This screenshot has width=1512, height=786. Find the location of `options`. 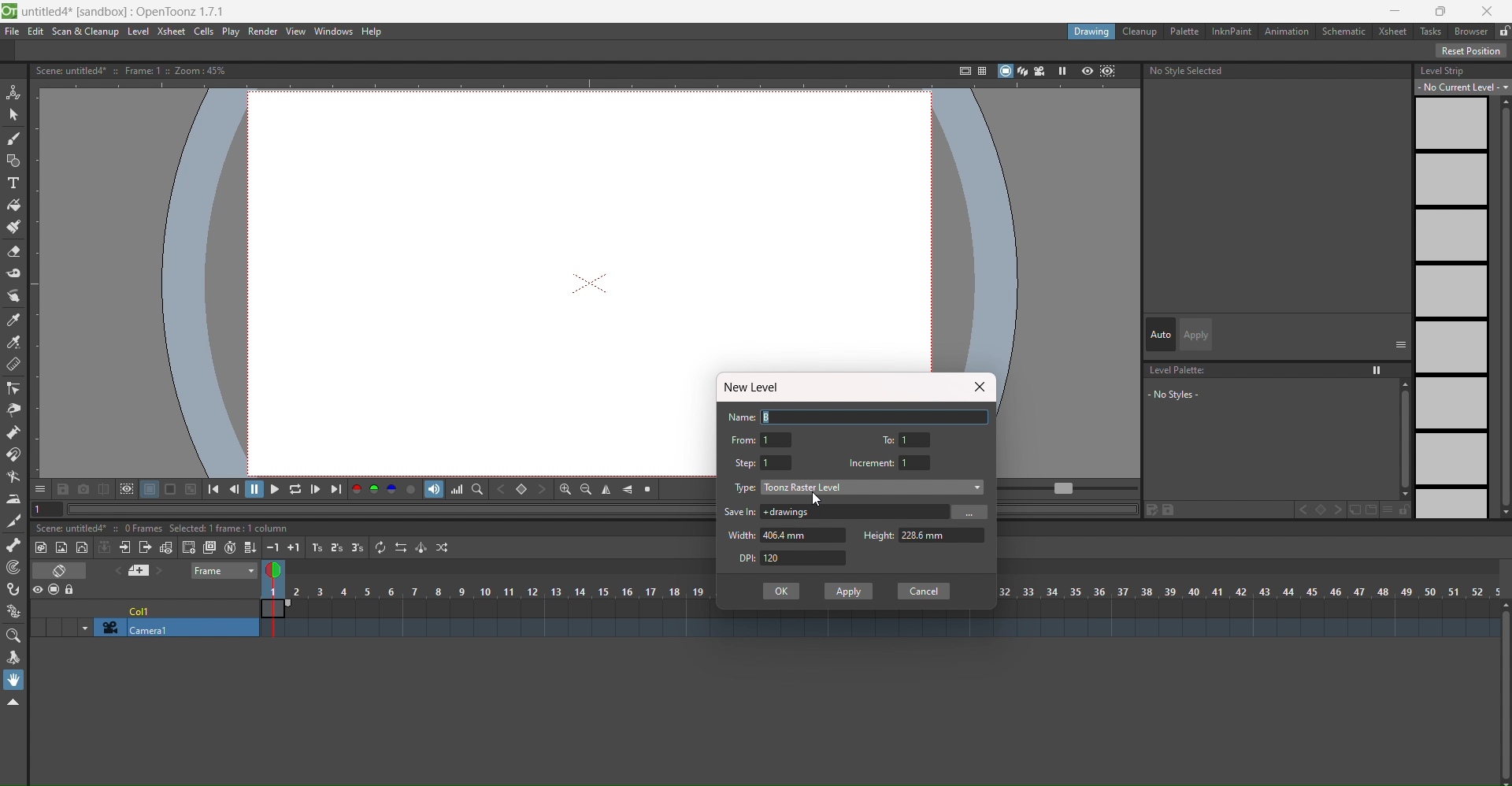

options is located at coordinates (40, 488).